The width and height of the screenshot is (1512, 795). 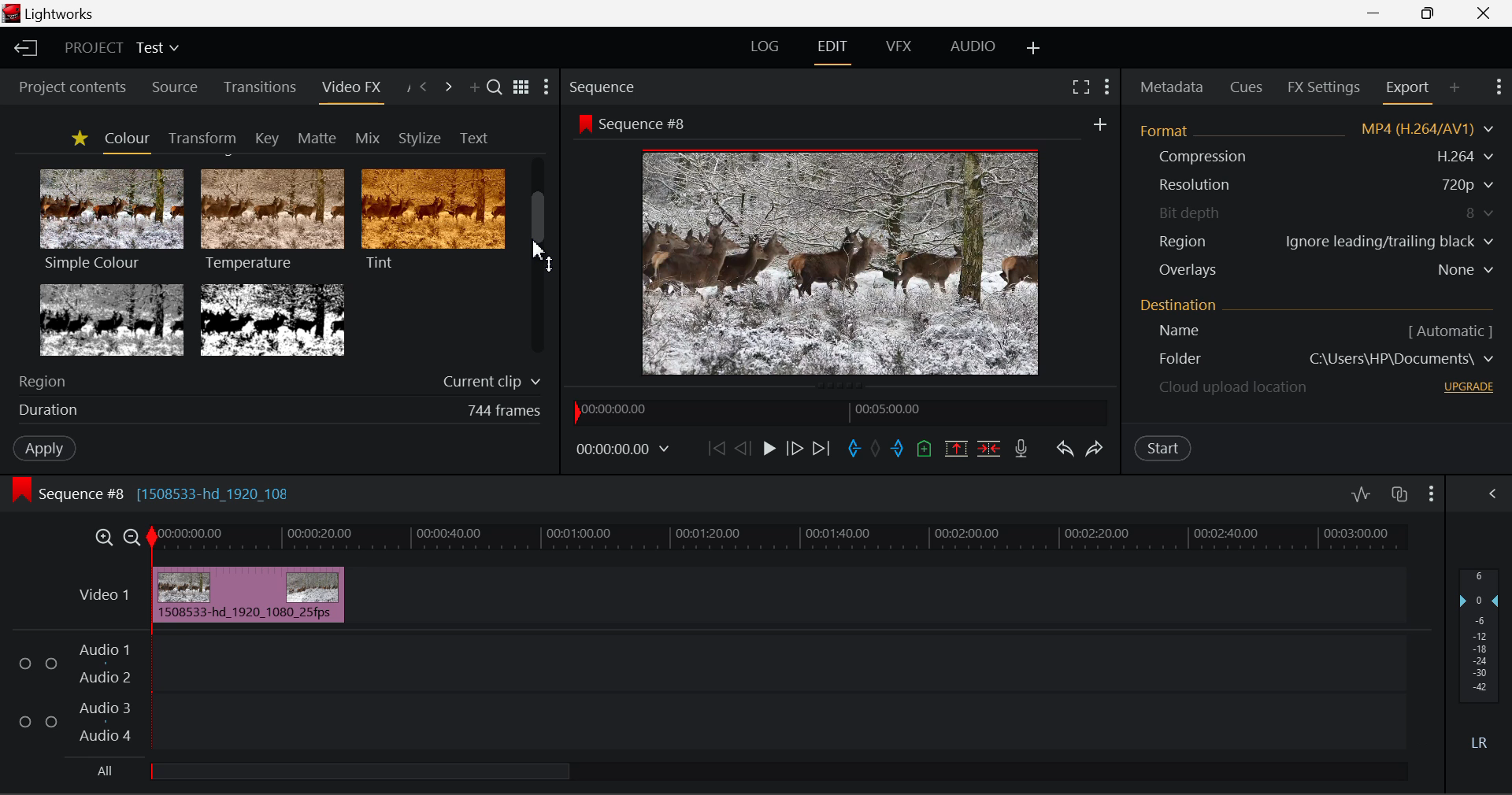 I want to click on Key, so click(x=266, y=138).